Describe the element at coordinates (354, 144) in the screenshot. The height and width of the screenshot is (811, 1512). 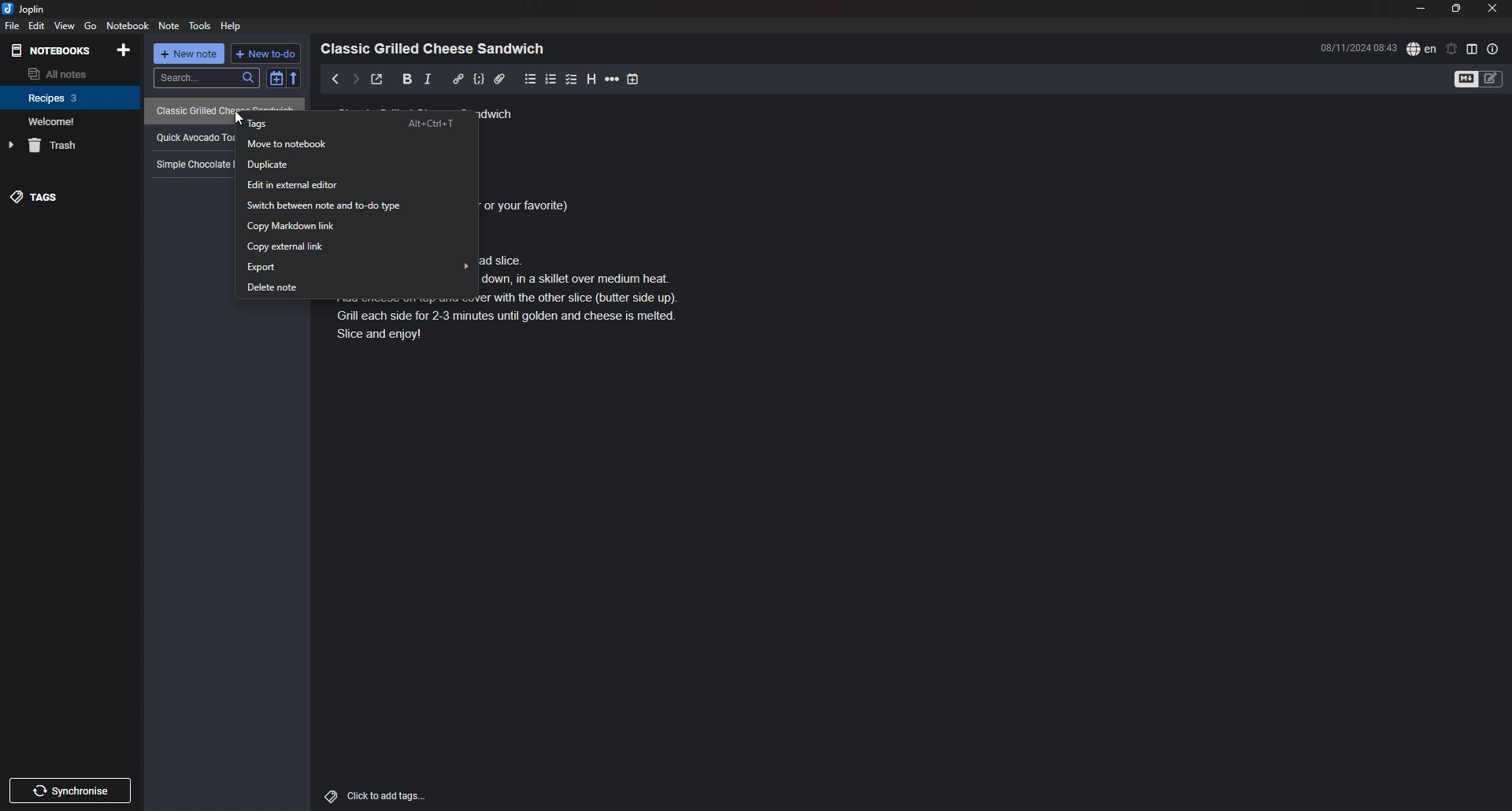
I see `move to notebook` at that location.